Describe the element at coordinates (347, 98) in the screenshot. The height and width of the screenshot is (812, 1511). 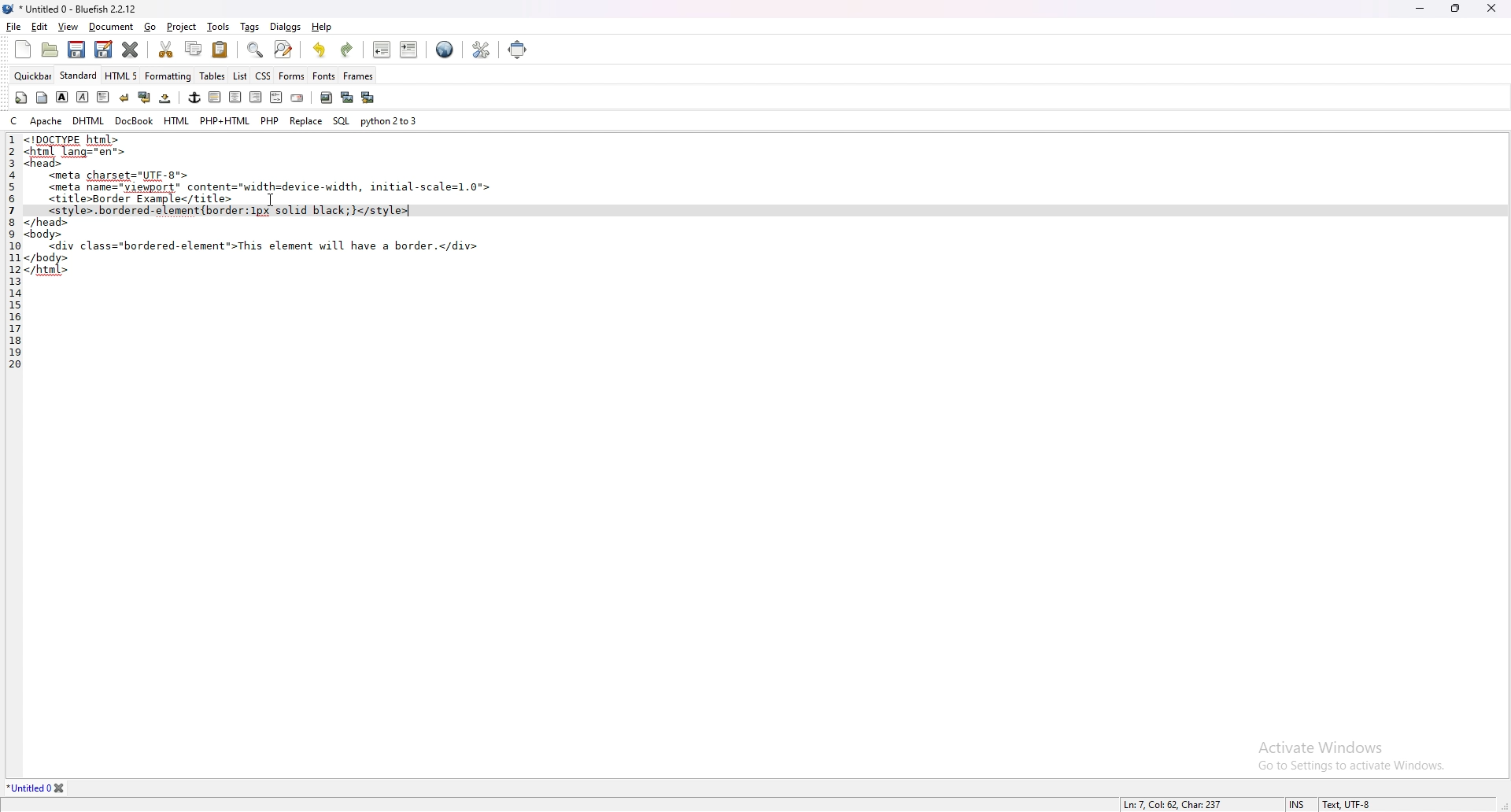
I see `insert thumbnail` at that location.